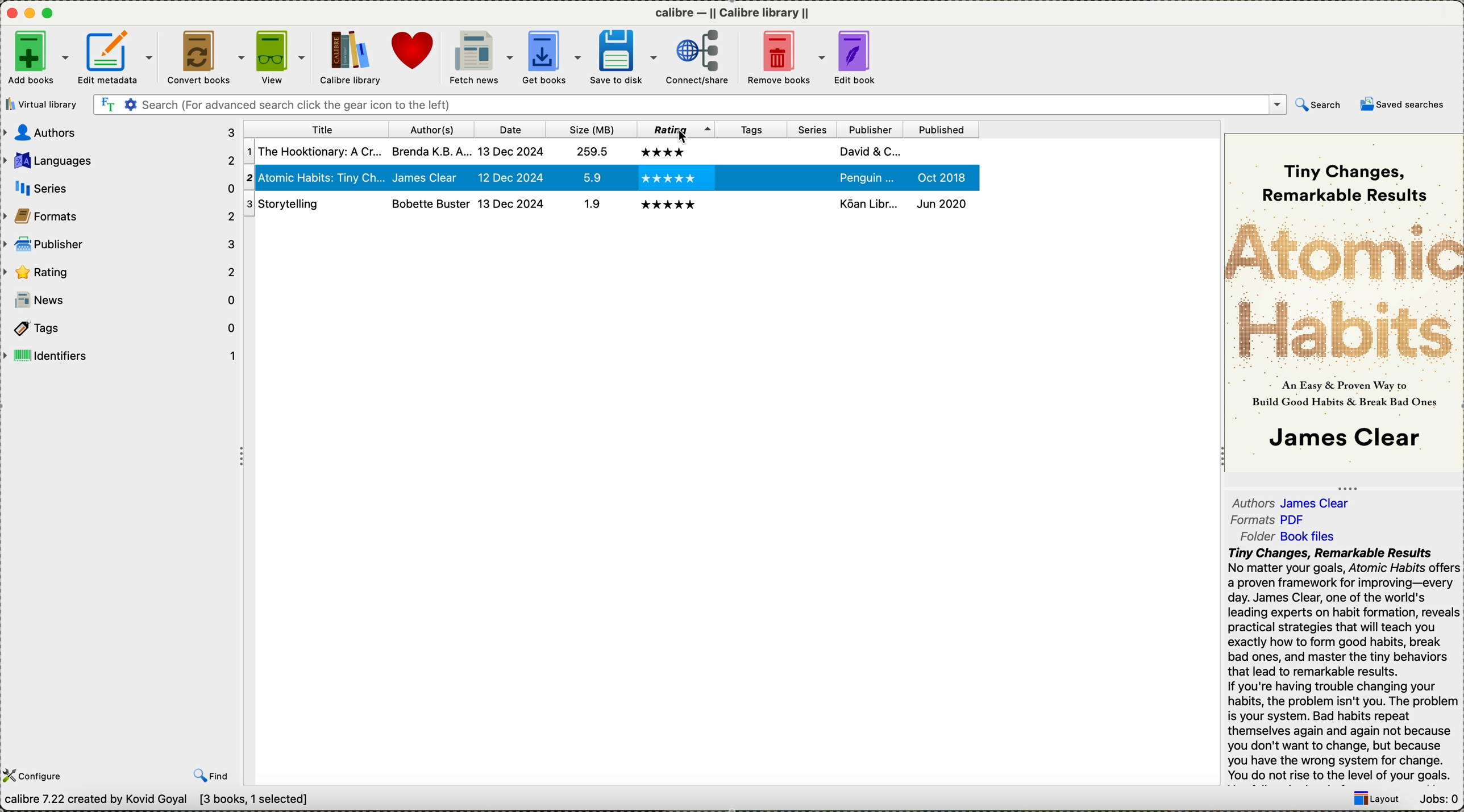 The width and height of the screenshot is (1464, 812). What do you see at coordinates (589, 205) in the screenshot?
I see `1.9` at bounding box center [589, 205].